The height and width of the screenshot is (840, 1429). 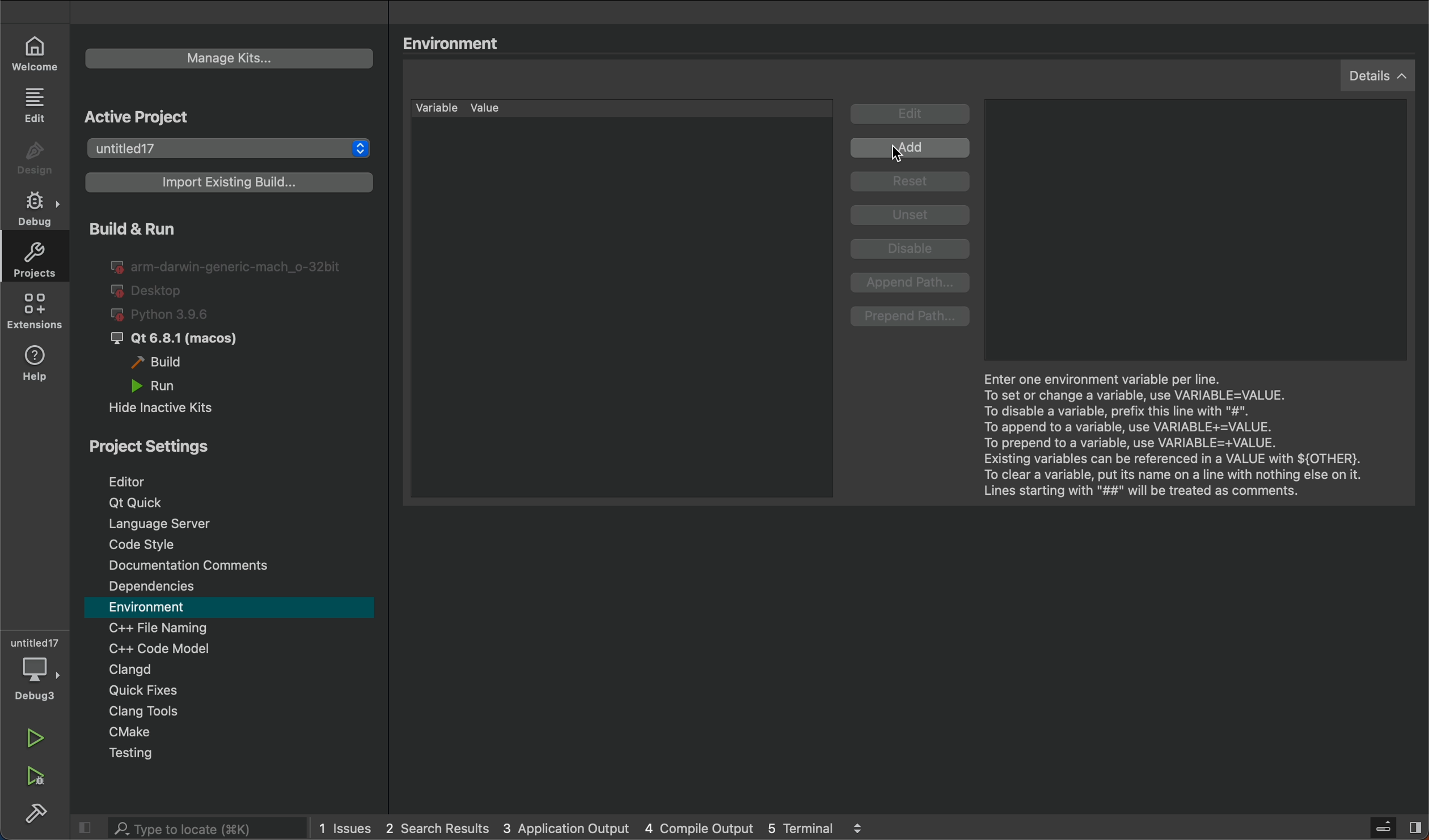 I want to click on Unset, so click(x=911, y=215).